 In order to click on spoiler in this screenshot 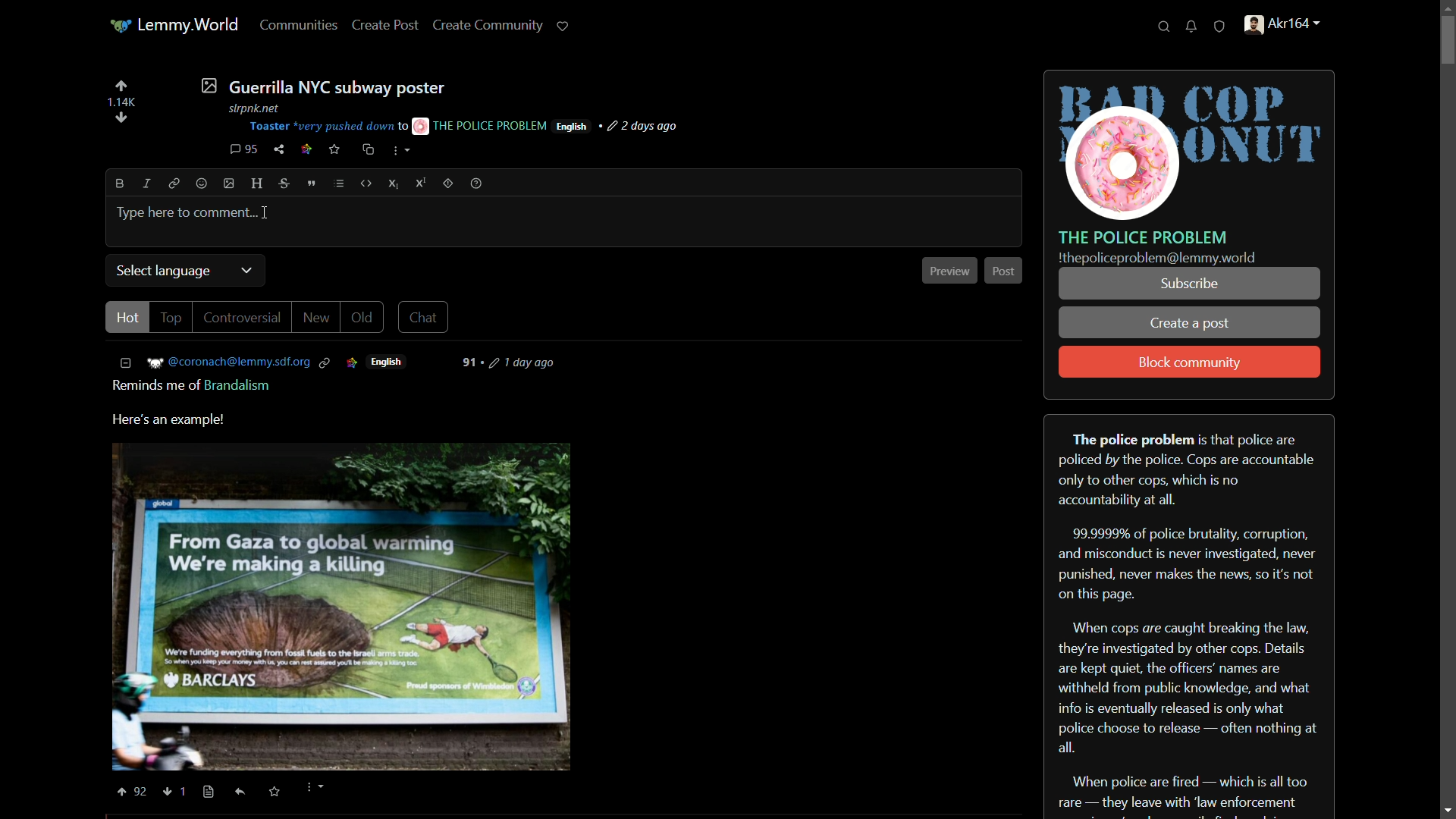, I will do `click(447, 183)`.